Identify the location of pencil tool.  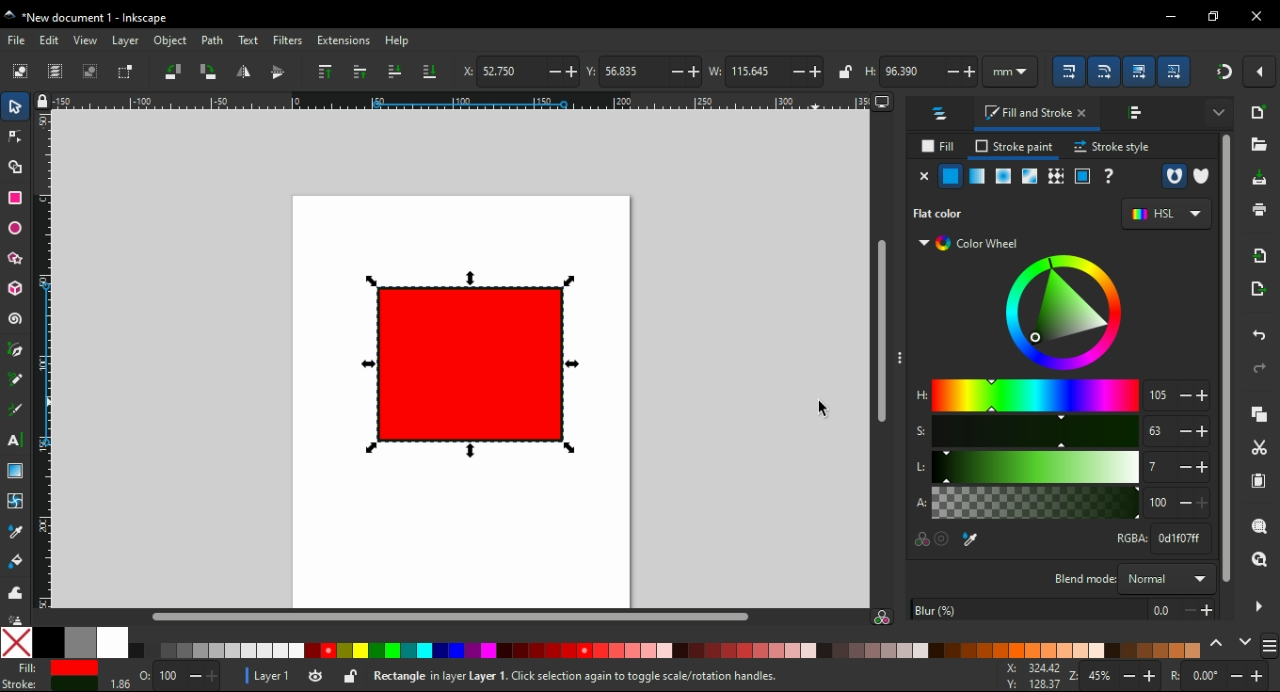
(15, 380).